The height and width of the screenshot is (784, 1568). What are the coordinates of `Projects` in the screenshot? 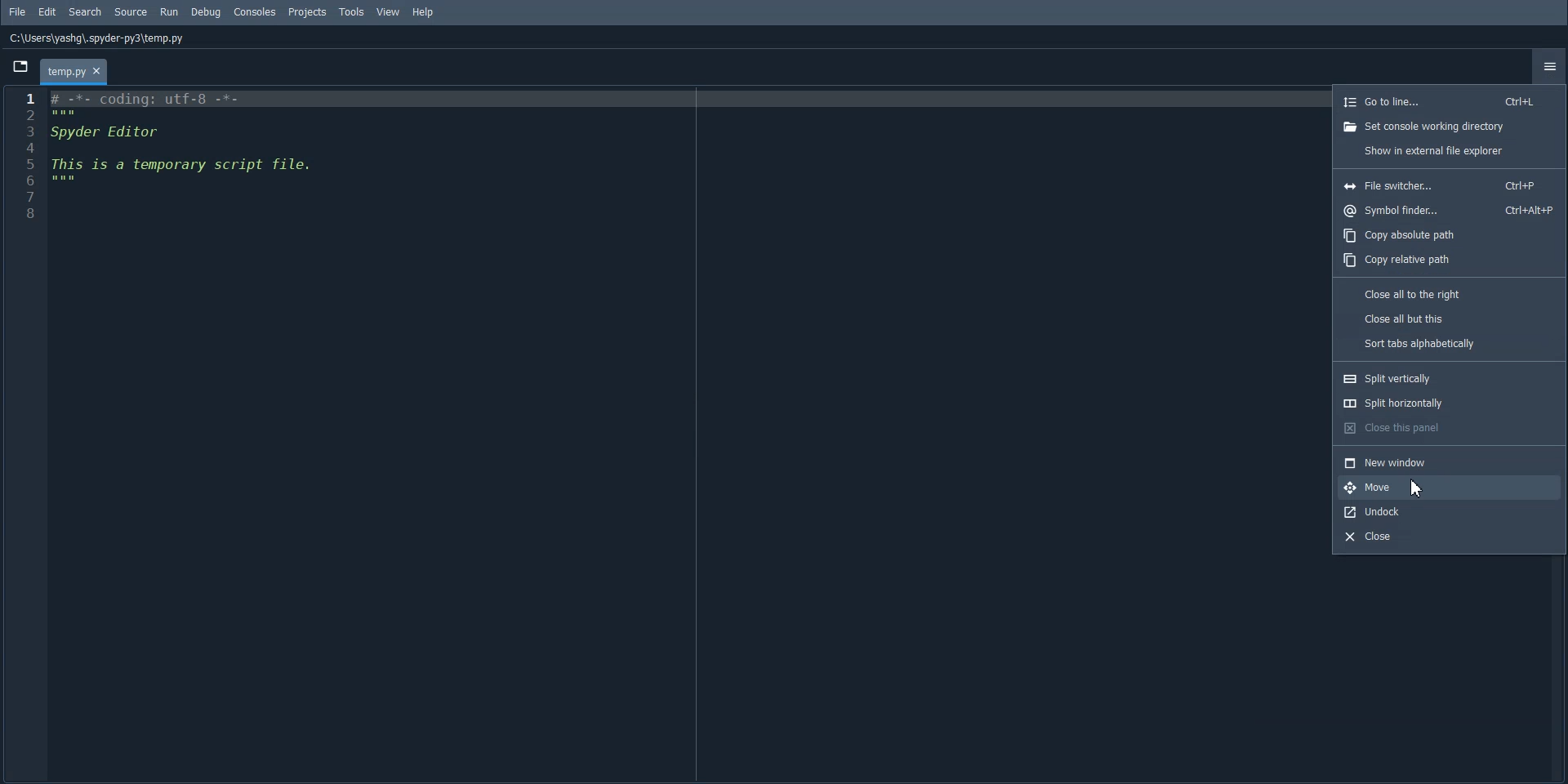 It's located at (307, 11).